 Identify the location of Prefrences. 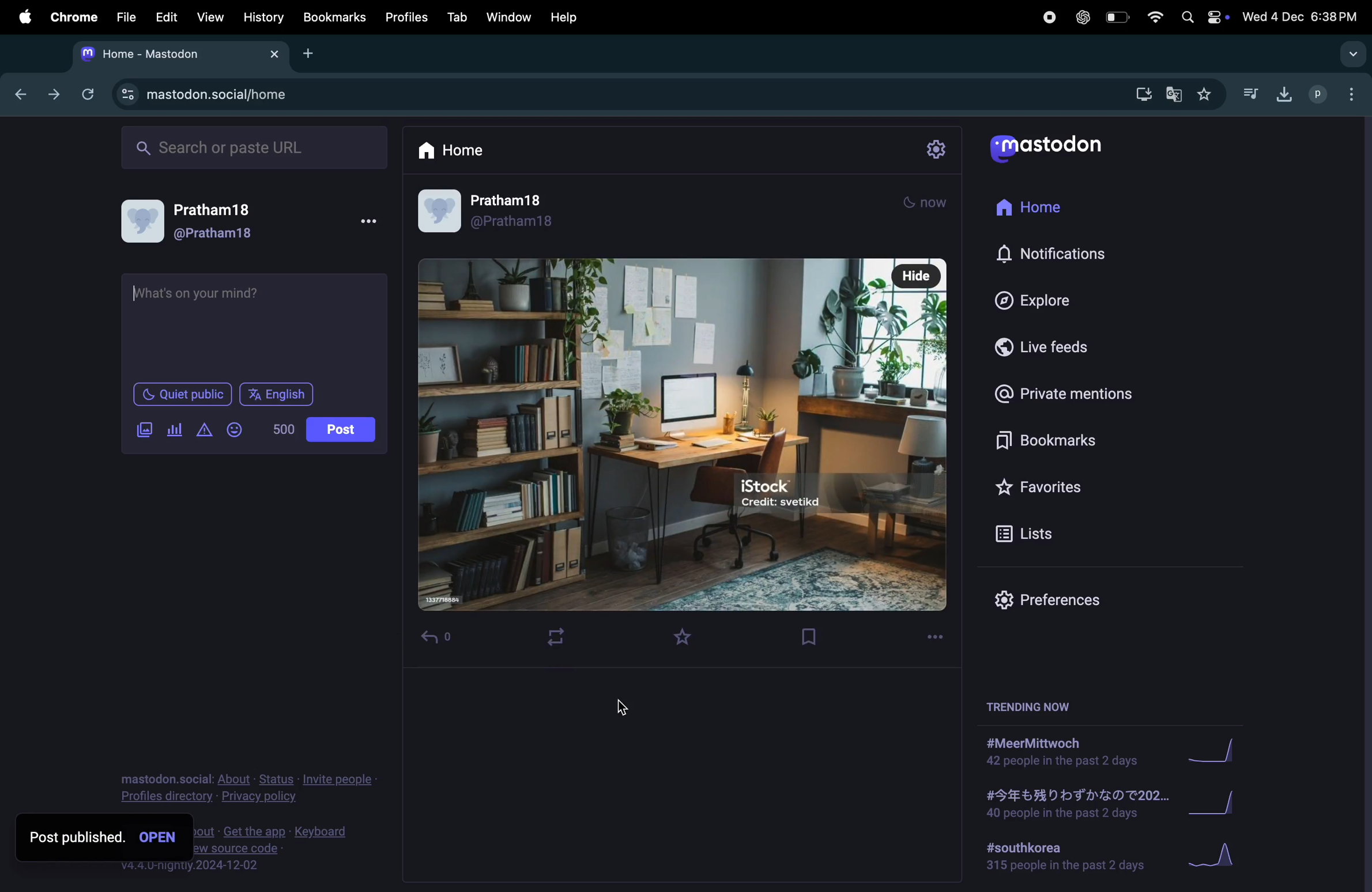
(1048, 600).